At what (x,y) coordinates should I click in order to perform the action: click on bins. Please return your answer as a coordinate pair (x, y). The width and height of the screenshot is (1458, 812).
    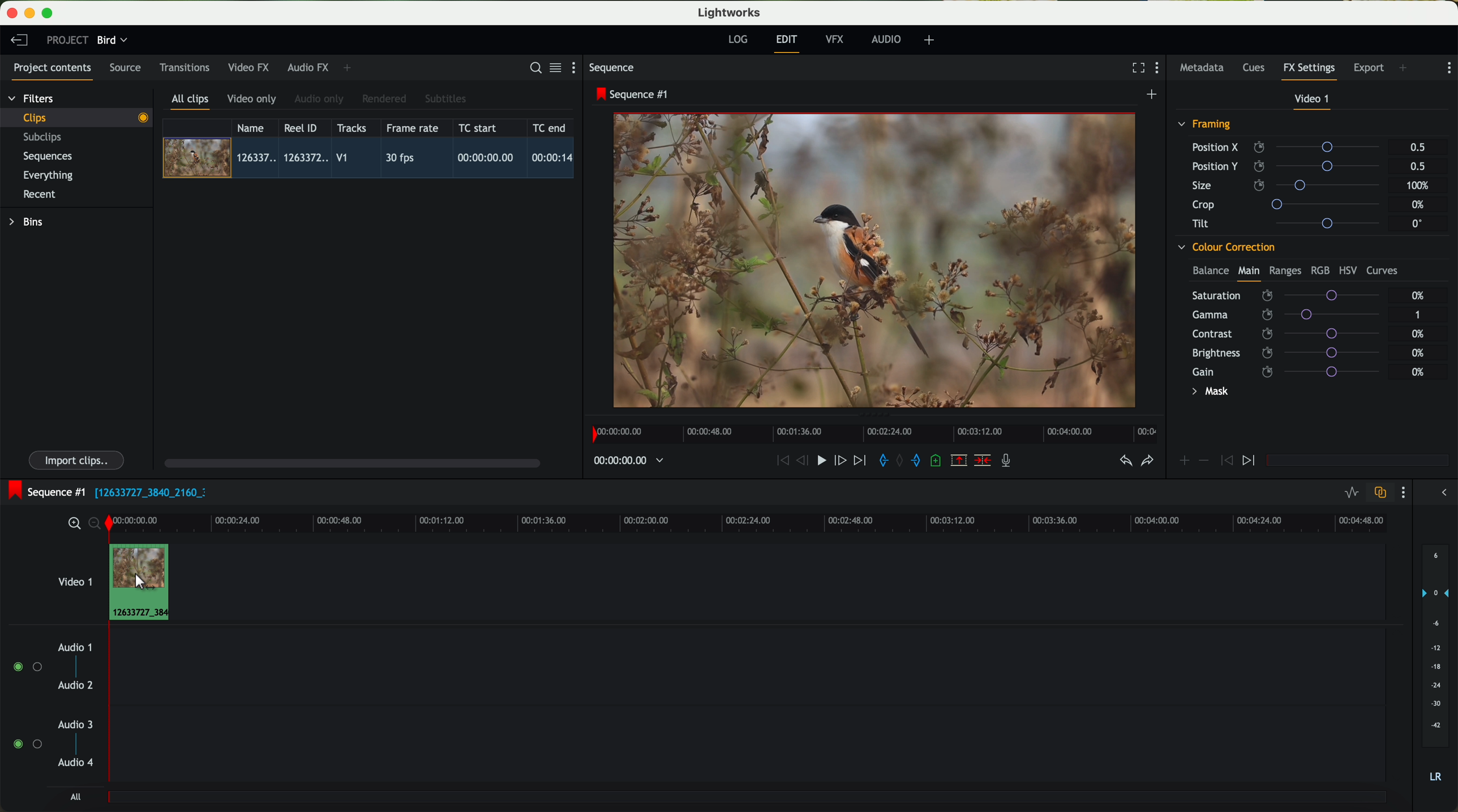
    Looking at the image, I should click on (28, 222).